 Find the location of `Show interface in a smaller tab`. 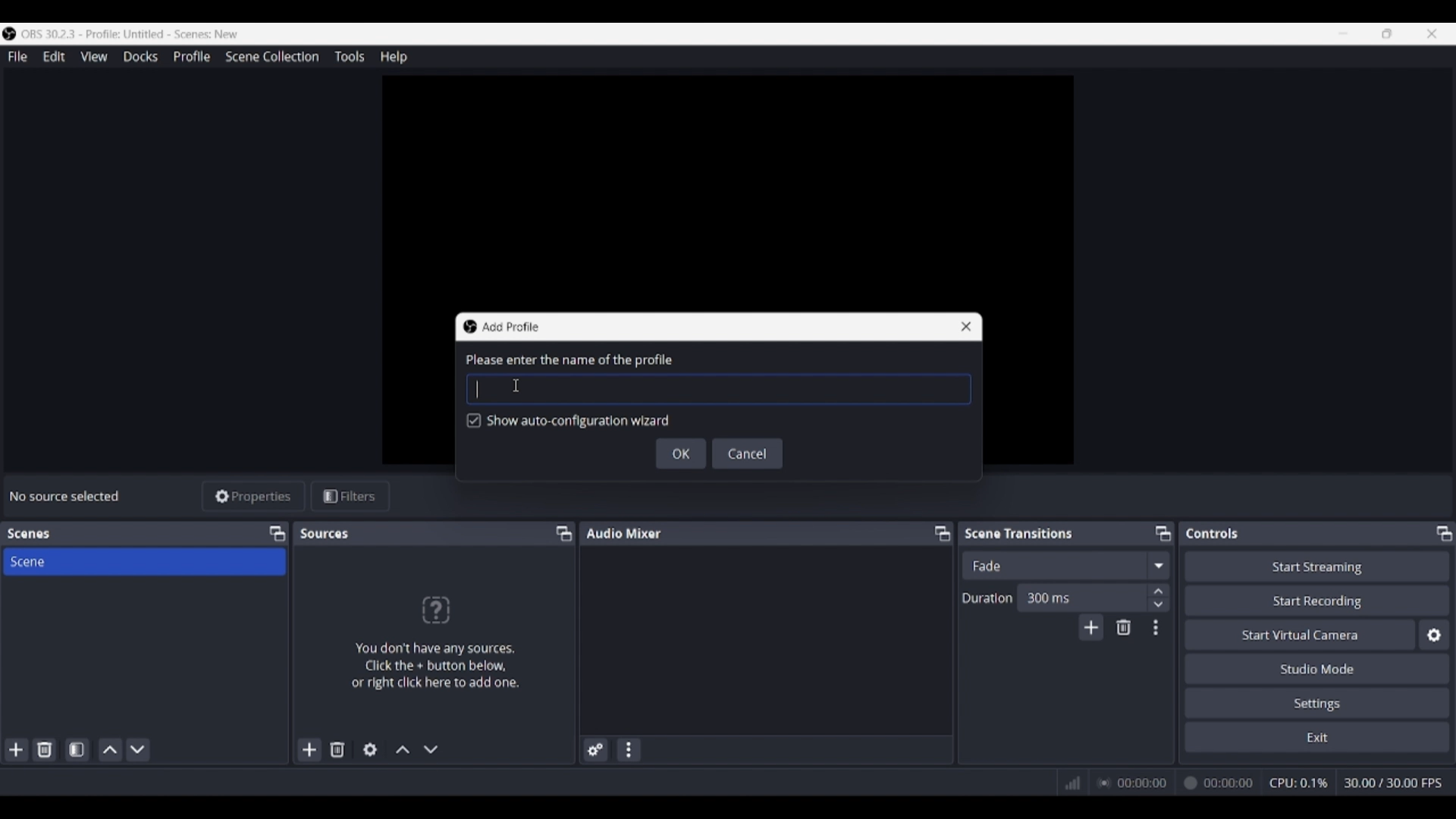

Show interface in a smaller tab is located at coordinates (1387, 33).